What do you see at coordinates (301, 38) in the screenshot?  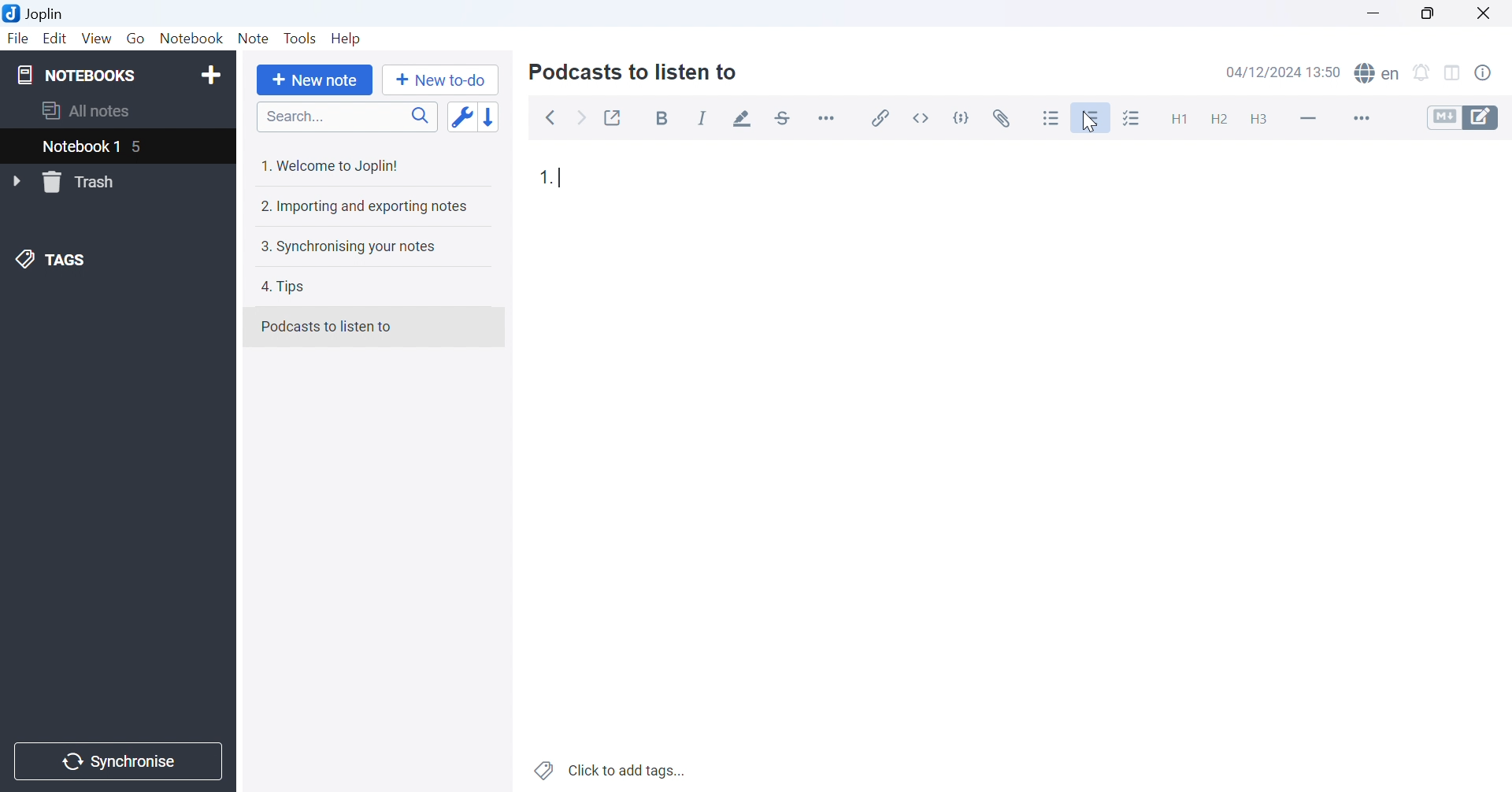 I see `Tools` at bounding box center [301, 38].